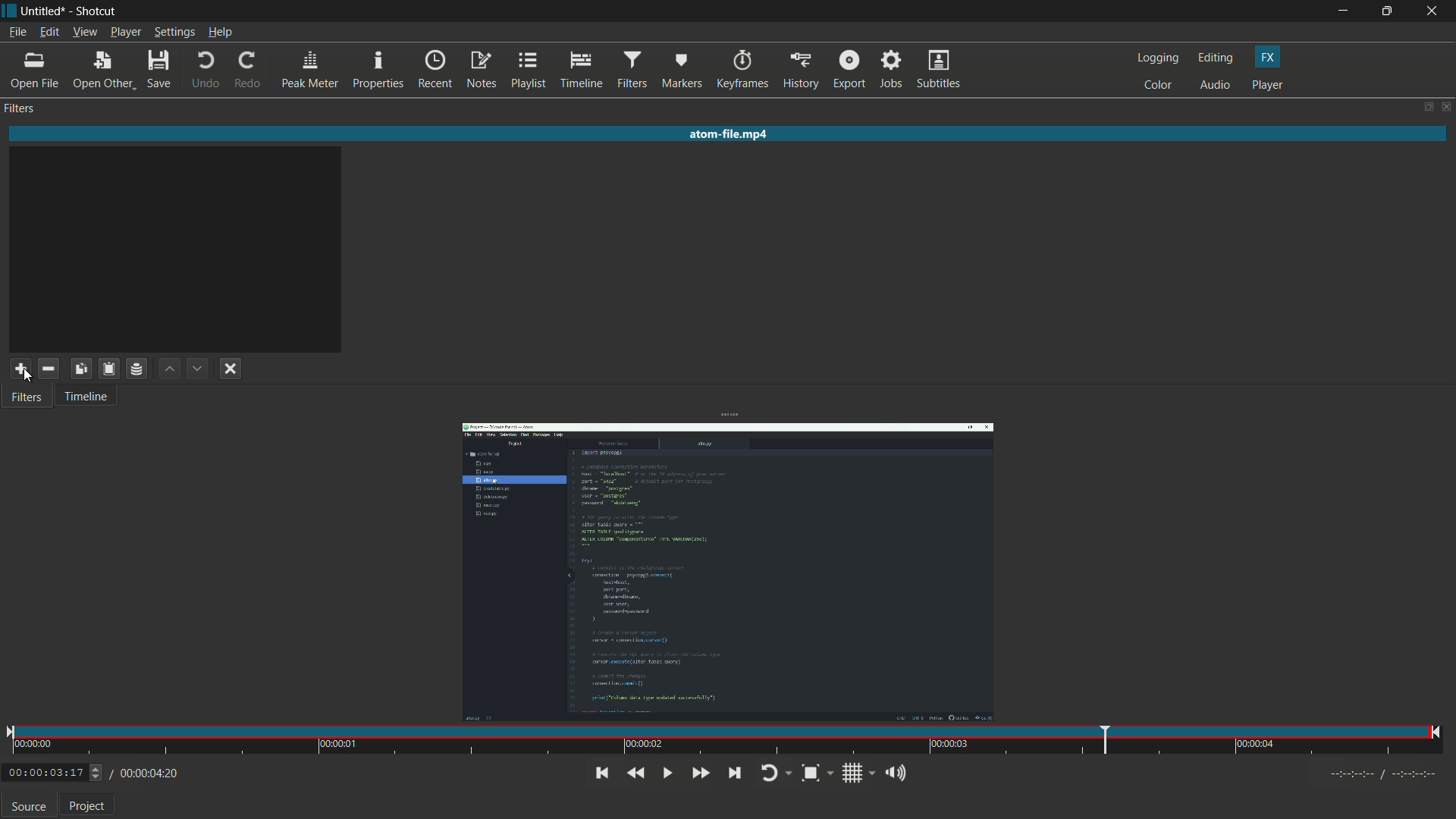 The width and height of the screenshot is (1456, 819). I want to click on Timecodes, so click(1385, 777).